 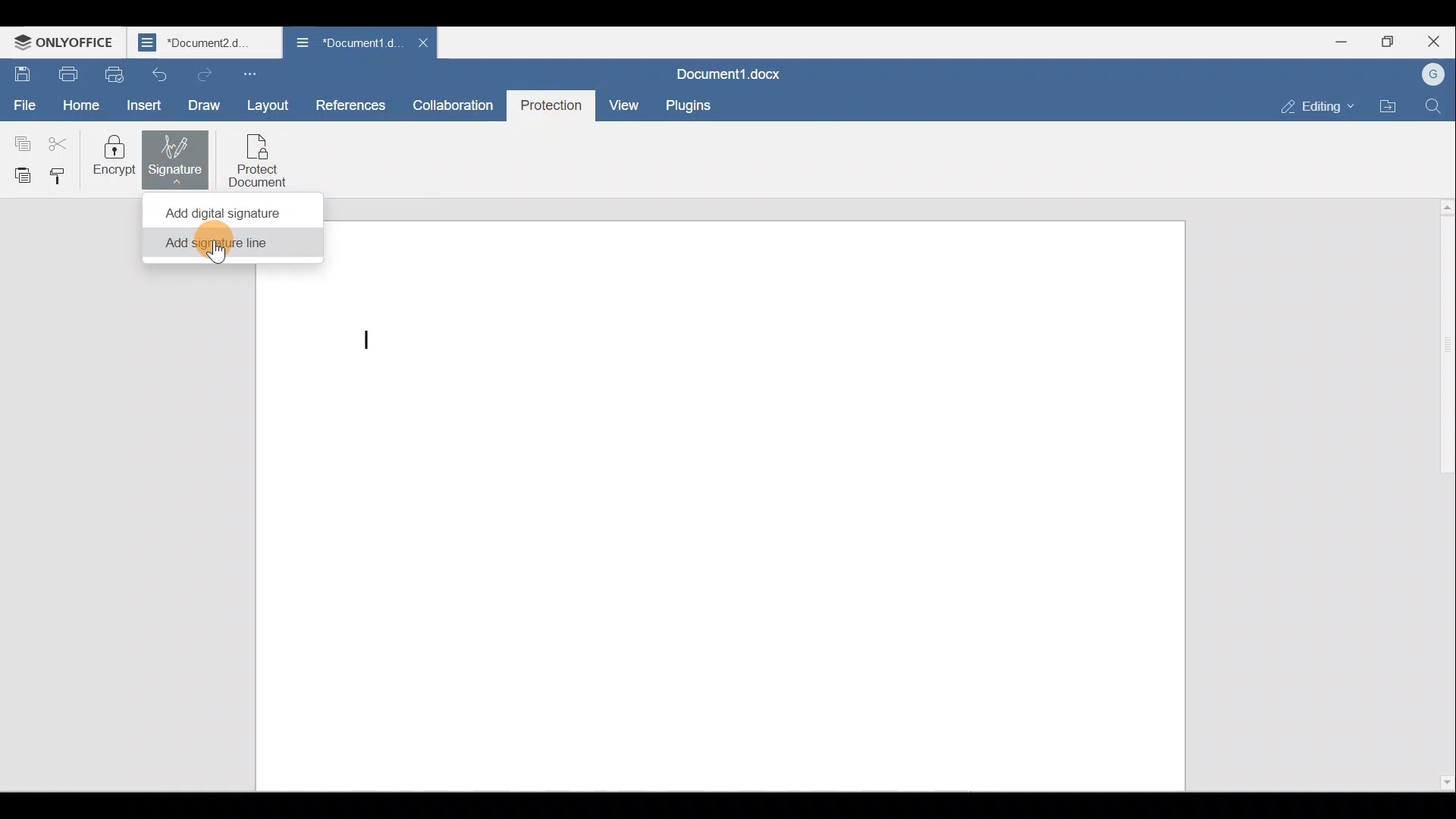 I want to click on Add signature line, so click(x=227, y=246).